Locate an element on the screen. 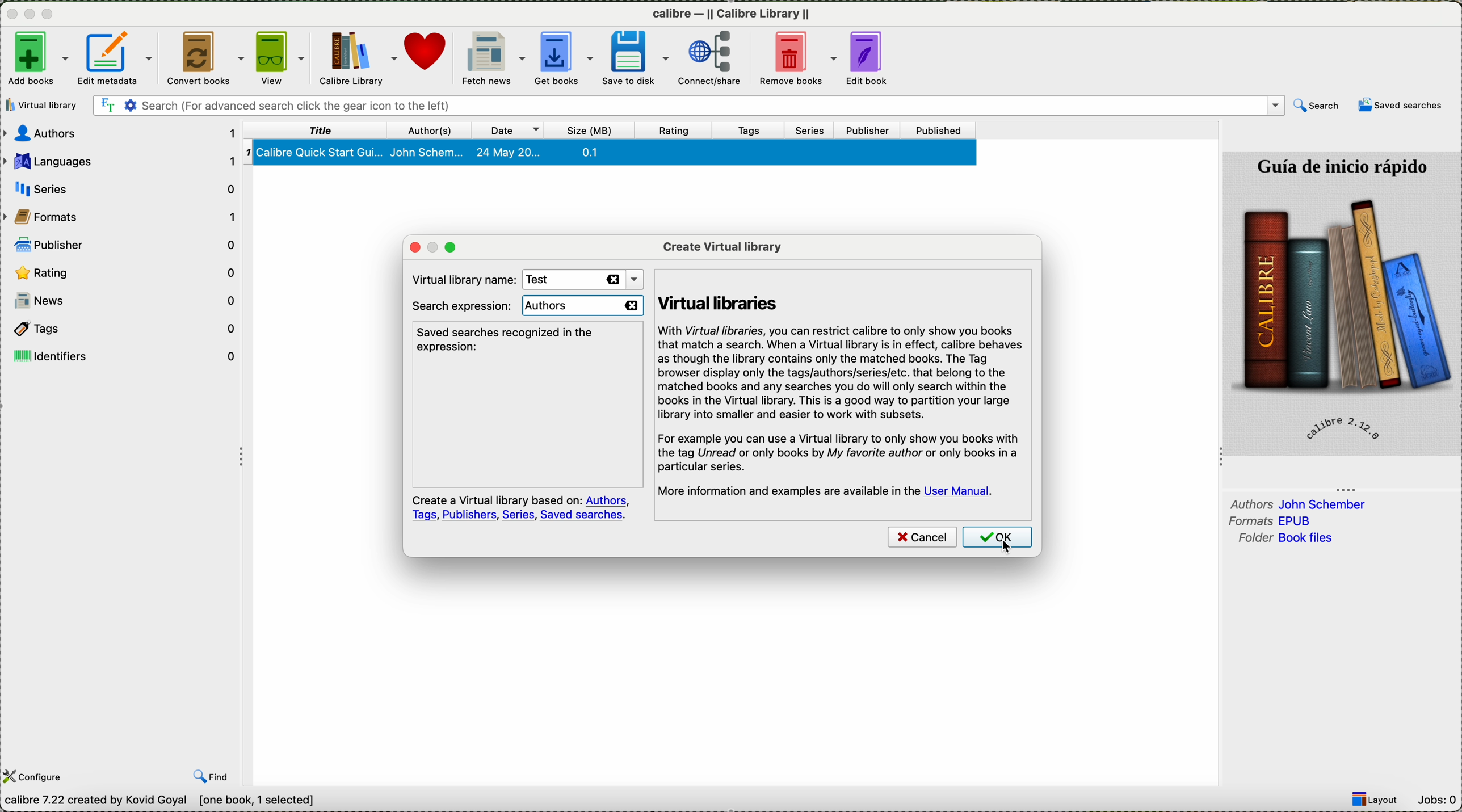 Image resolution: width=1462 pixels, height=812 pixels. configure is located at coordinates (36, 776).